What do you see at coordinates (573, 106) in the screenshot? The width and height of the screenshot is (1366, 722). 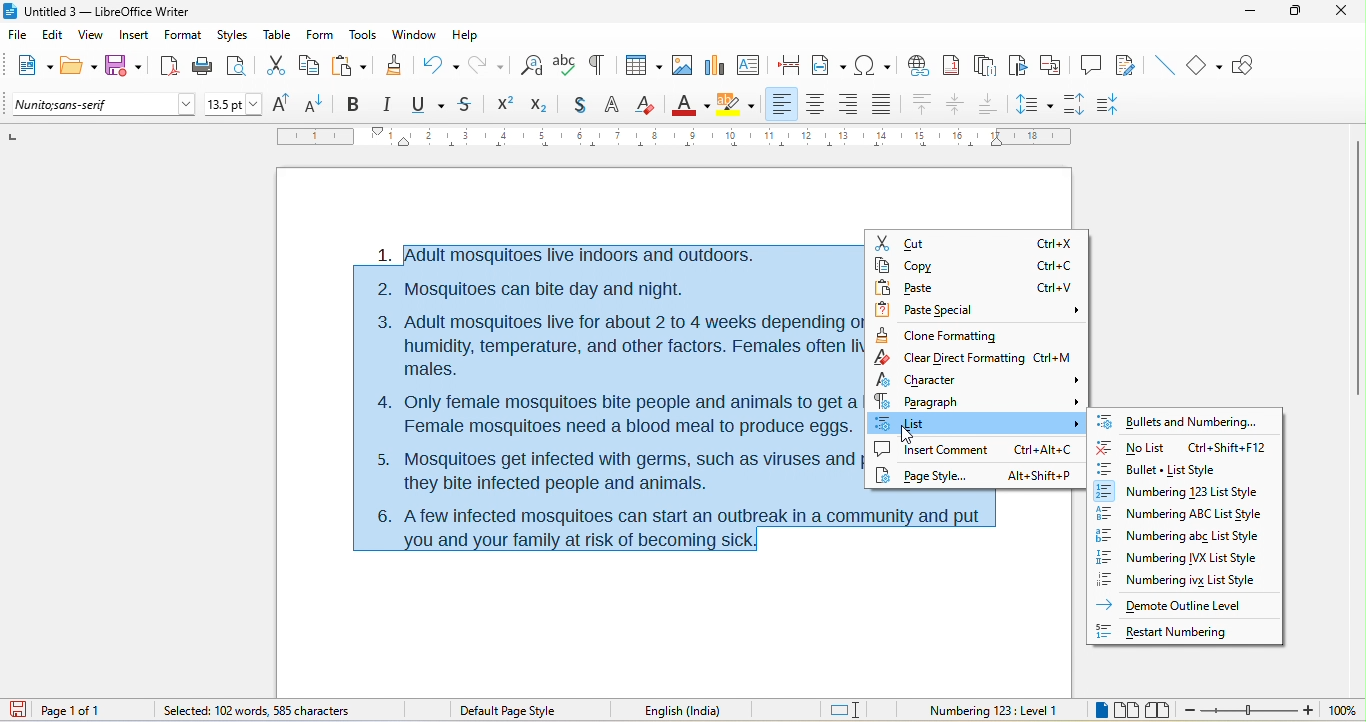 I see `shadow` at bounding box center [573, 106].